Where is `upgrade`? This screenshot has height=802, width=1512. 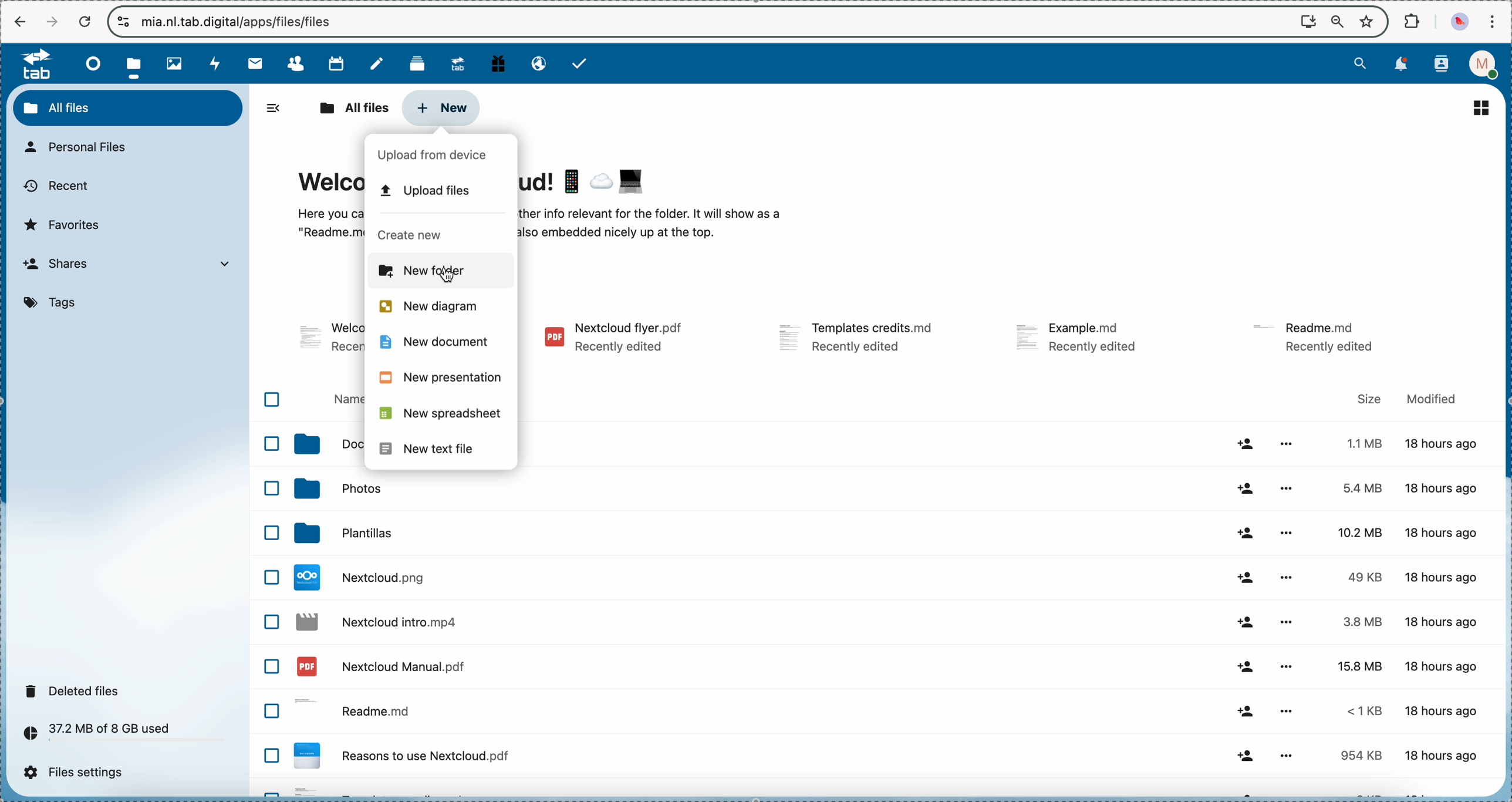
upgrade is located at coordinates (458, 63).